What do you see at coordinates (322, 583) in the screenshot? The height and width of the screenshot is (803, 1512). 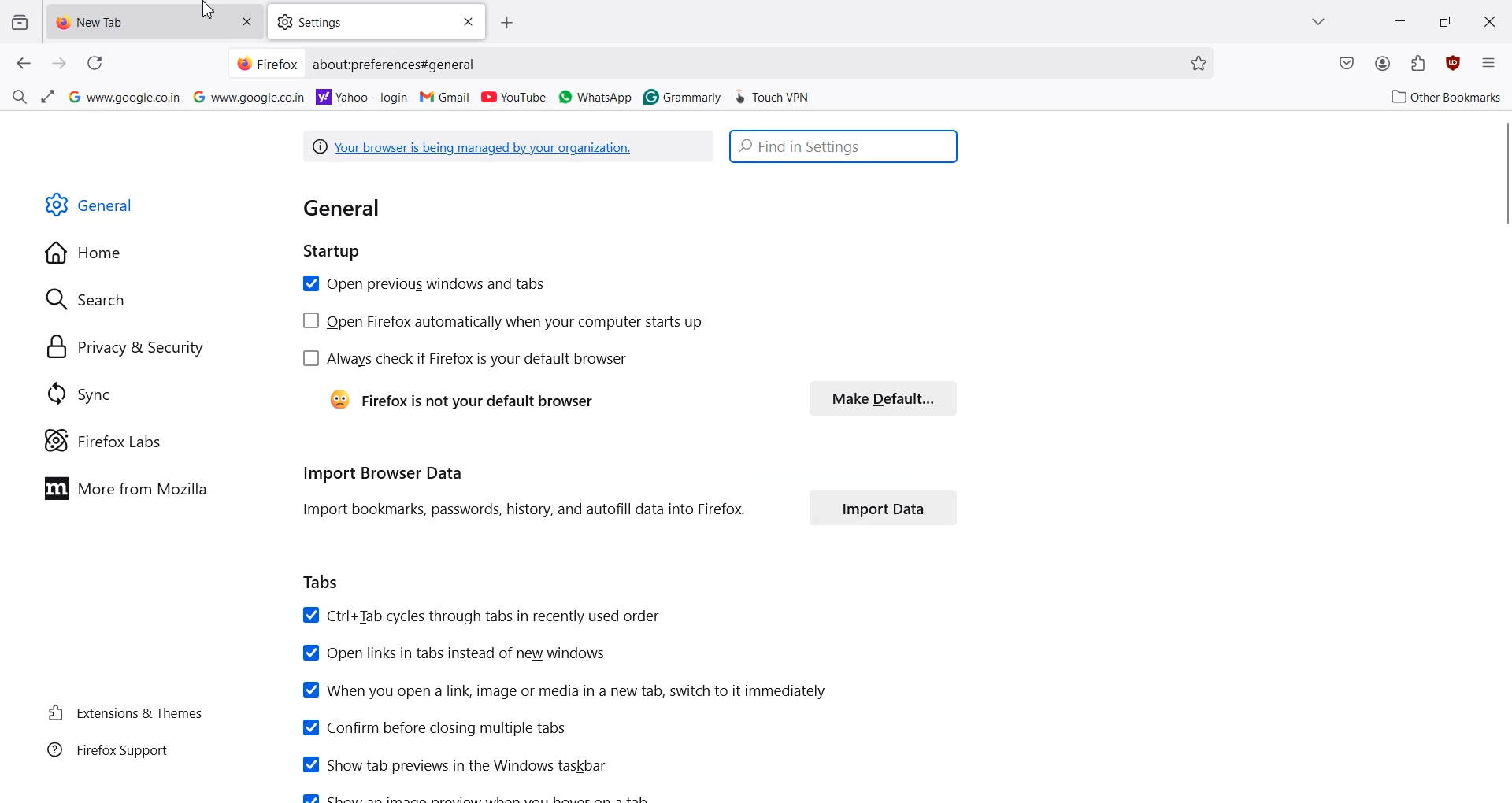 I see `Tabs` at bounding box center [322, 583].